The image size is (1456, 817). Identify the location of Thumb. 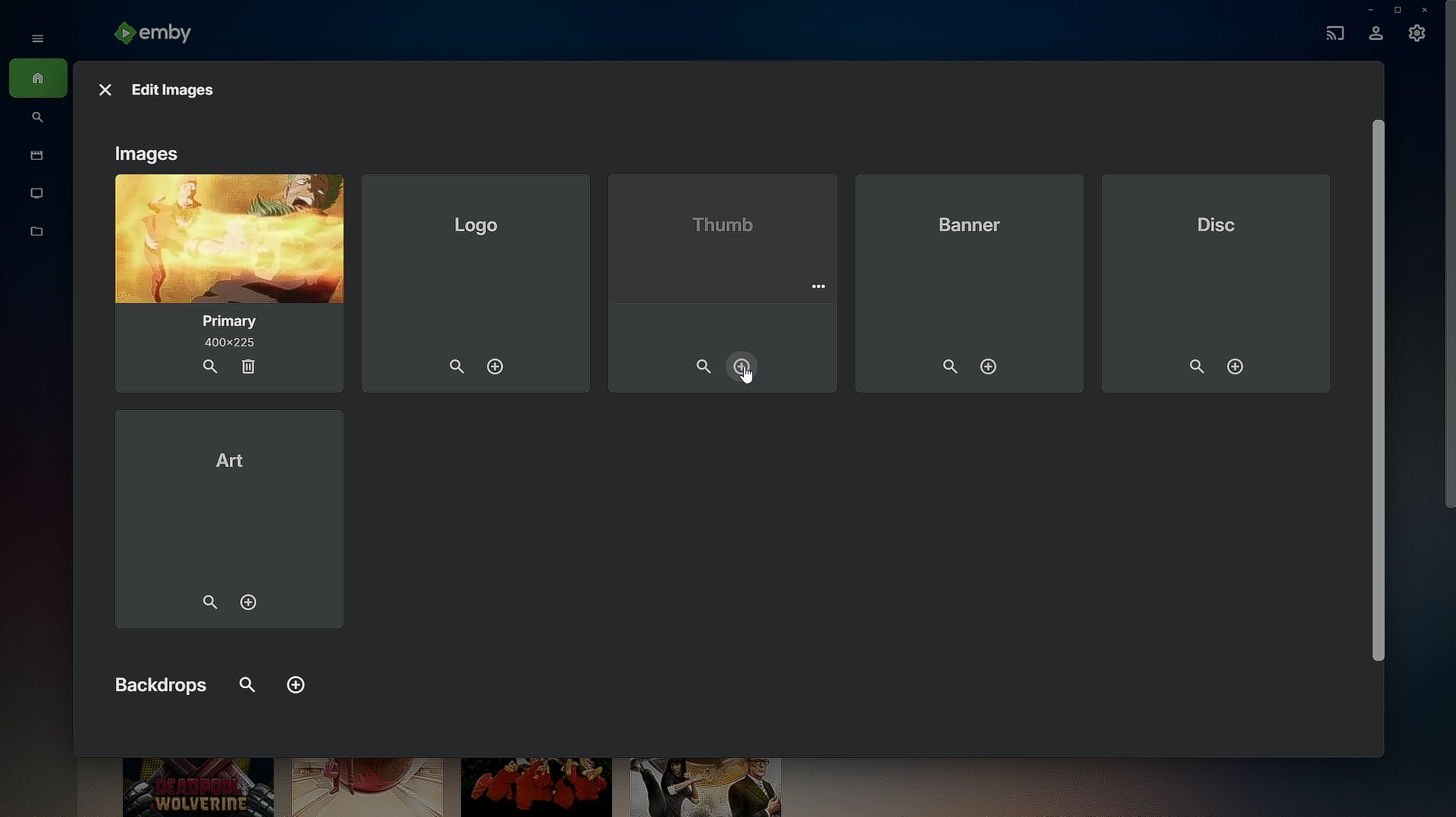
(725, 279).